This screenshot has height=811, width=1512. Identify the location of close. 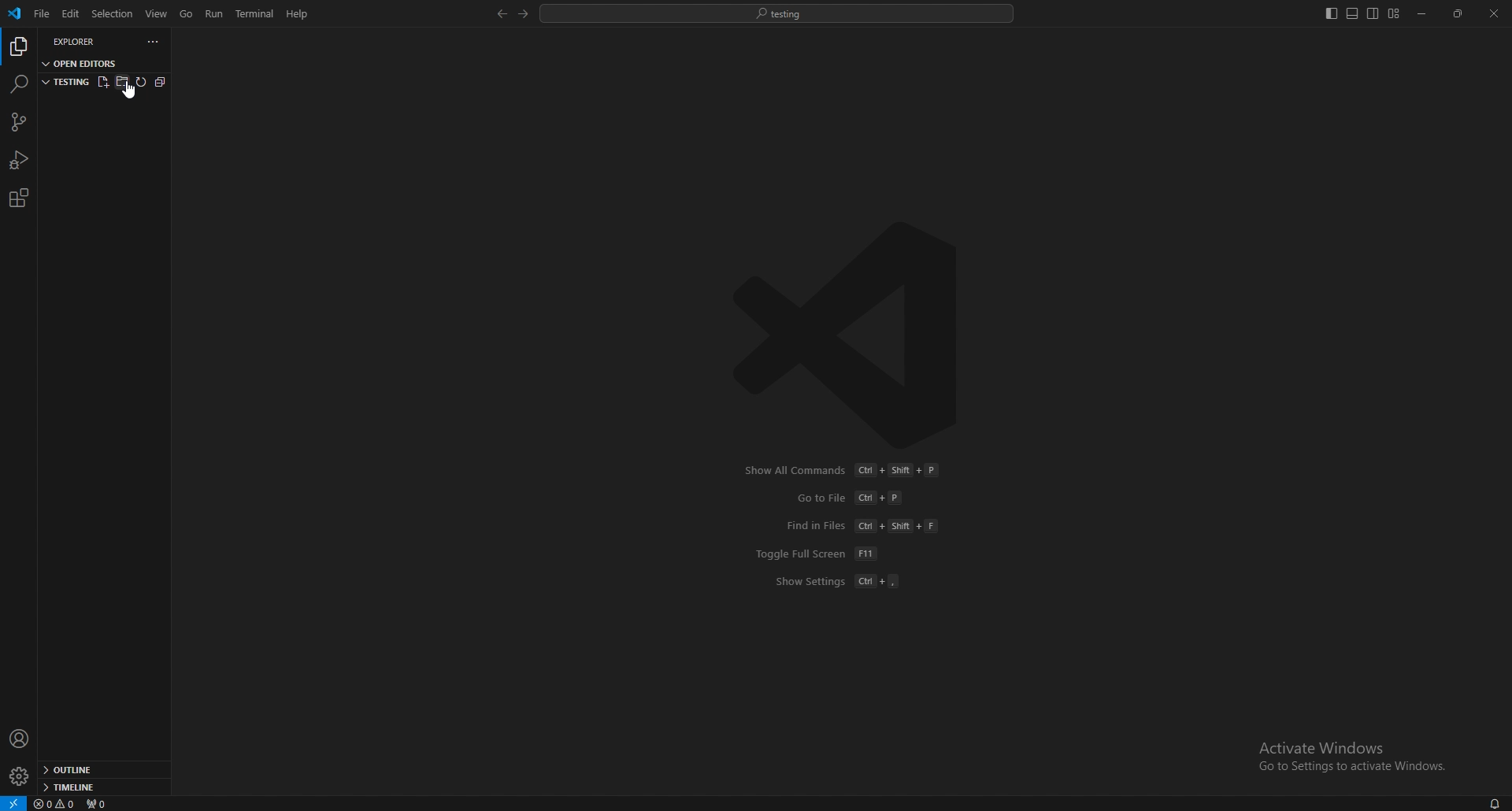
(1494, 13).